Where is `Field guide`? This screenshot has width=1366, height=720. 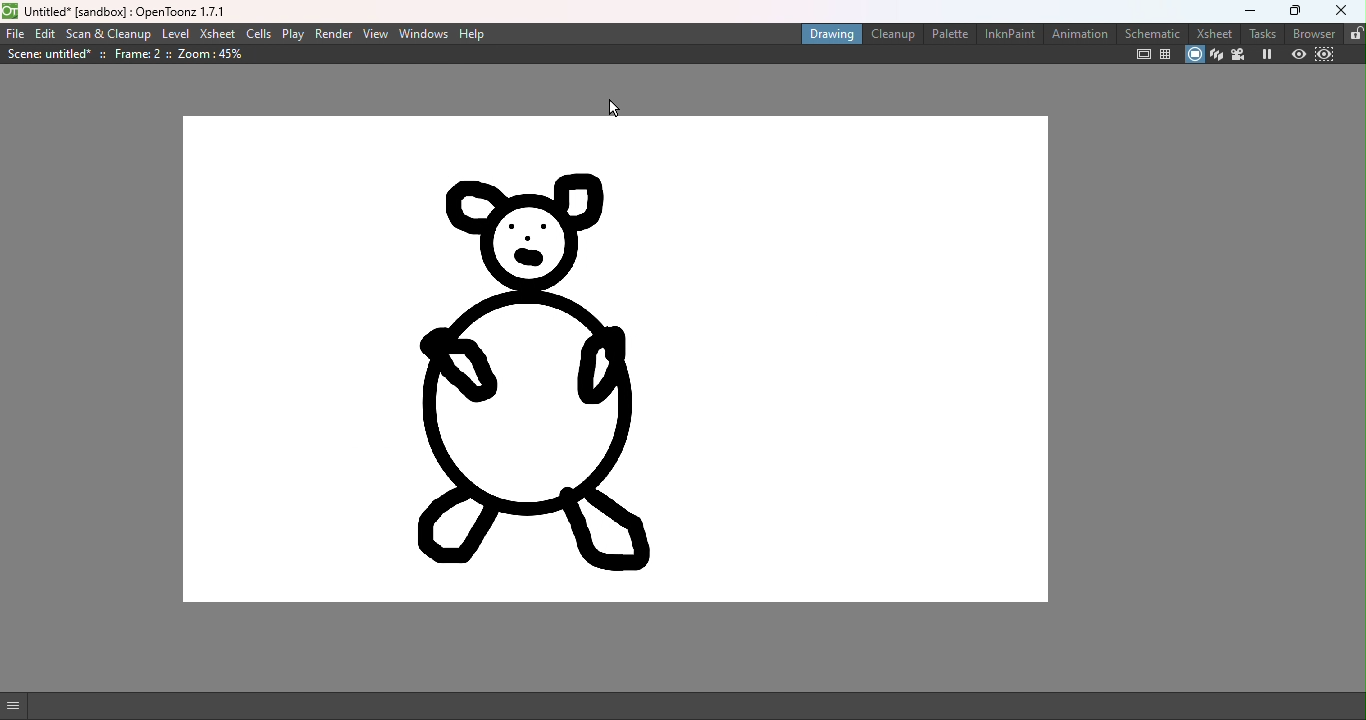
Field guide is located at coordinates (1165, 53).